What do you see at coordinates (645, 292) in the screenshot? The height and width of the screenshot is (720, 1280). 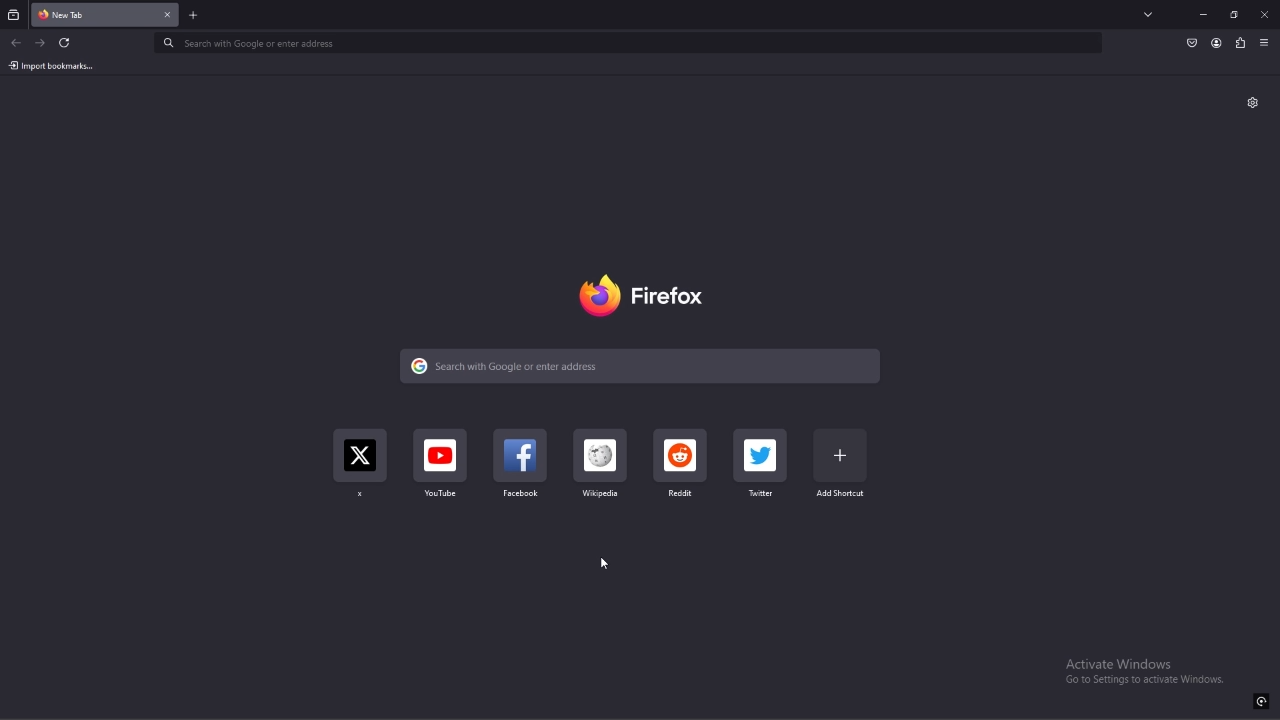 I see `firefox` at bounding box center [645, 292].